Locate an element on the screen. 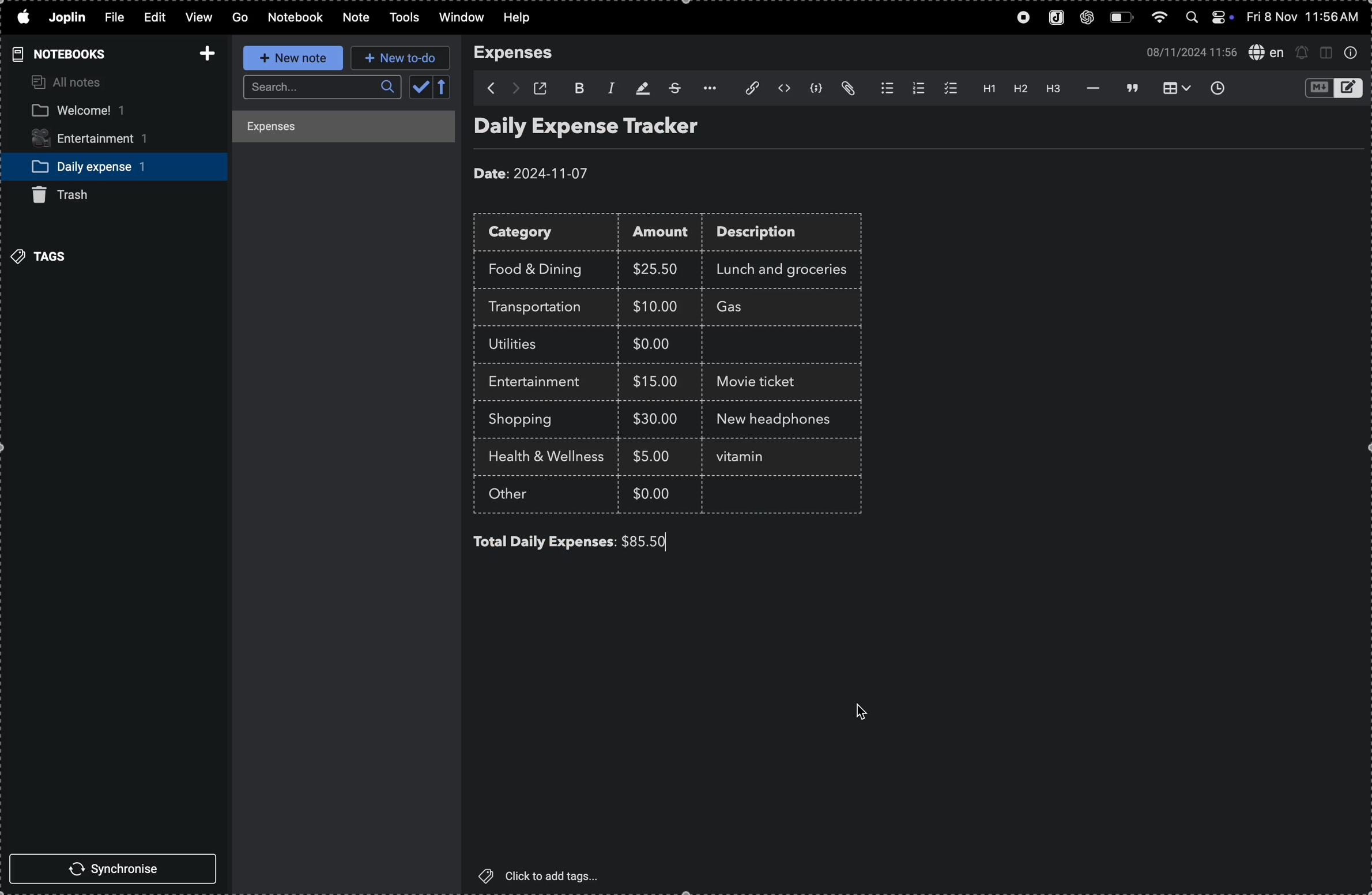 Image resolution: width=1372 pixels, height=895 pixels. note is located at coordinates (353, 18).